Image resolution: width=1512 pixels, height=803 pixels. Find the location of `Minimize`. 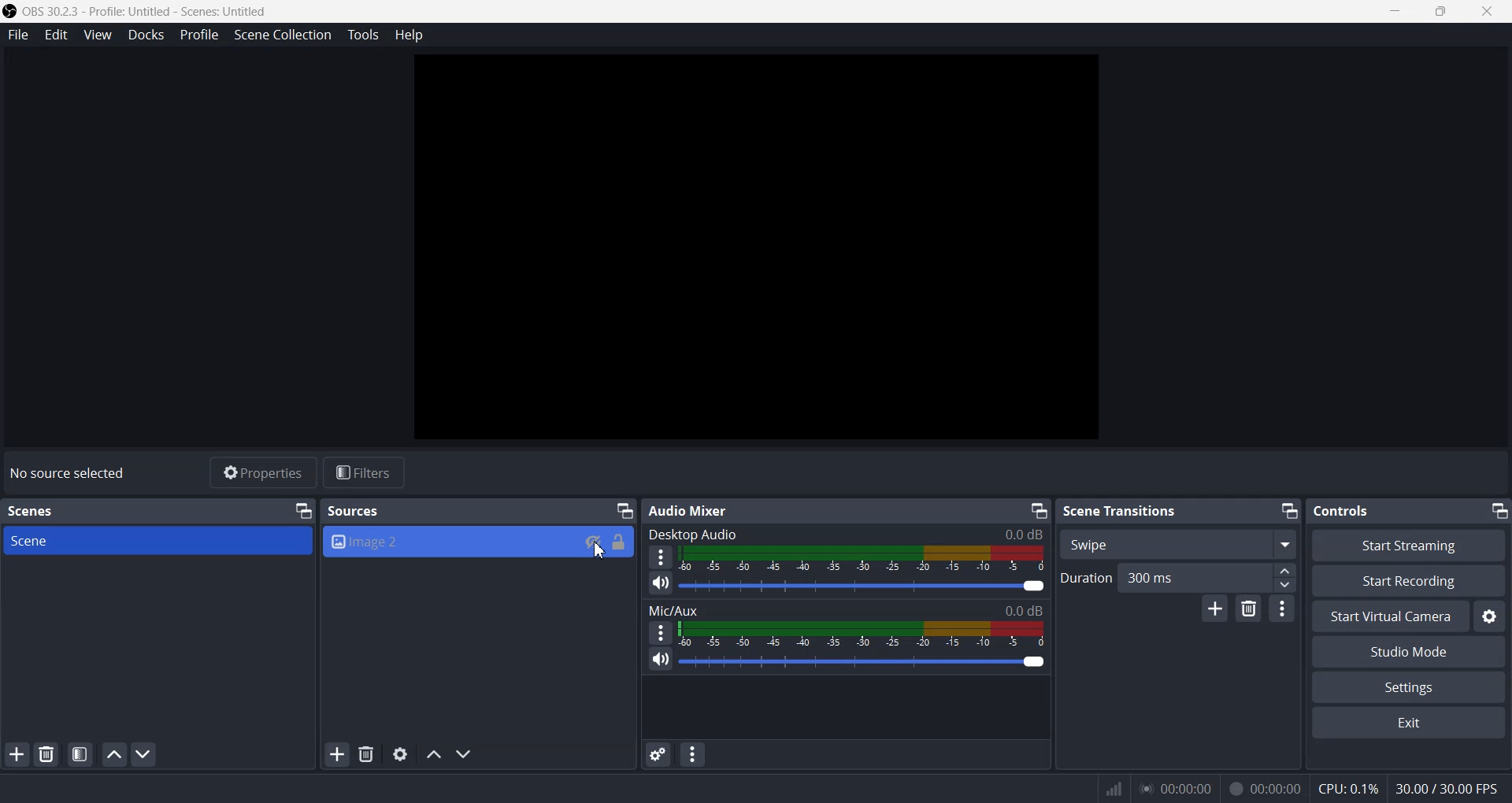

Minimize is located at coordinates (1495, 509).